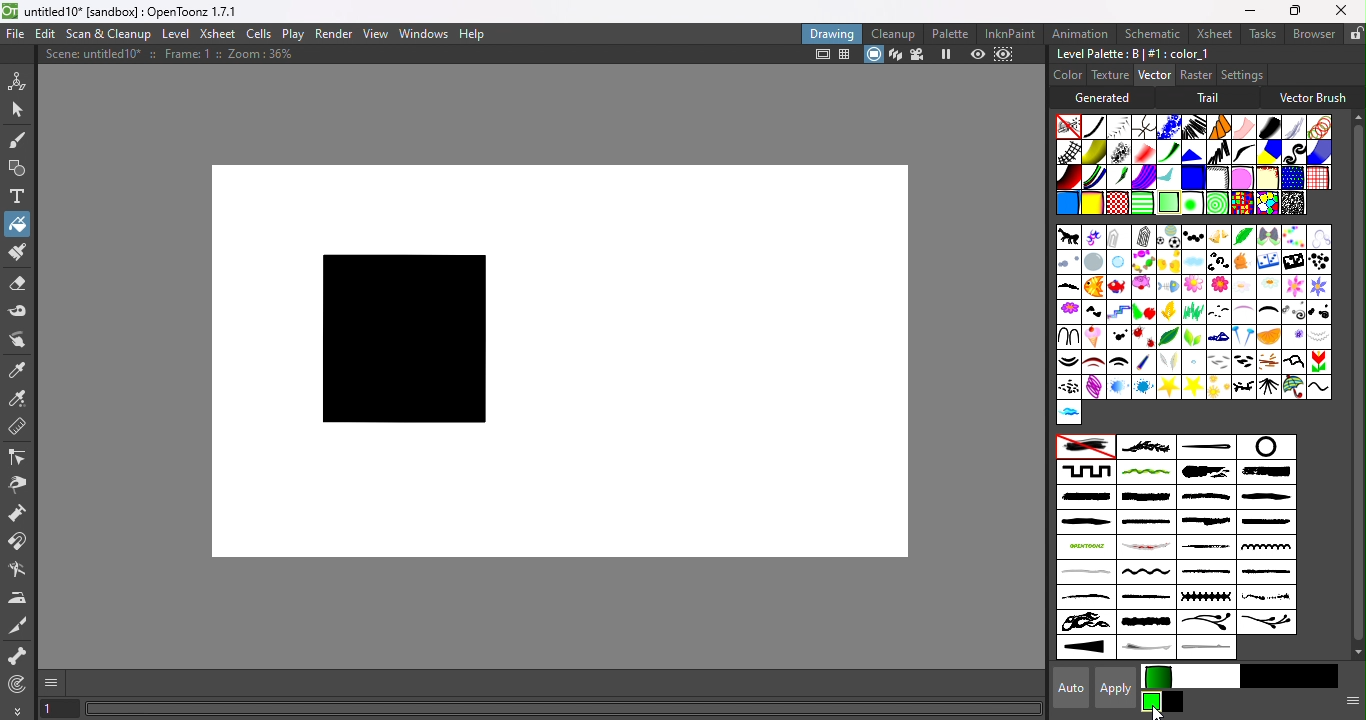 The width and height of the screenshot is (1366, 720). Describe the element at coordinates (1193, 311) in the screenshot. I see `grain` at that location.